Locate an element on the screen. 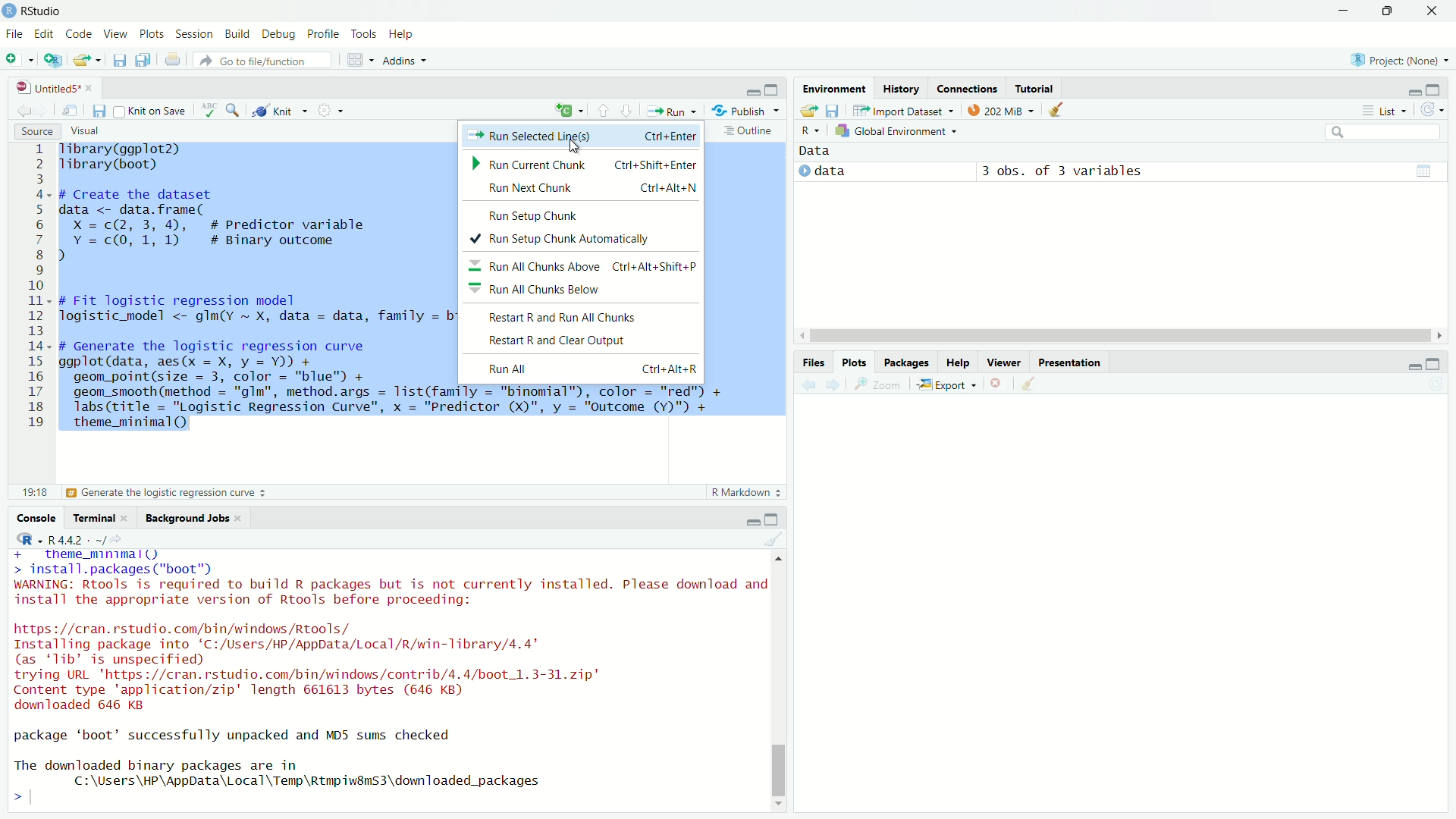  Export is located at coordinates (947, 384).